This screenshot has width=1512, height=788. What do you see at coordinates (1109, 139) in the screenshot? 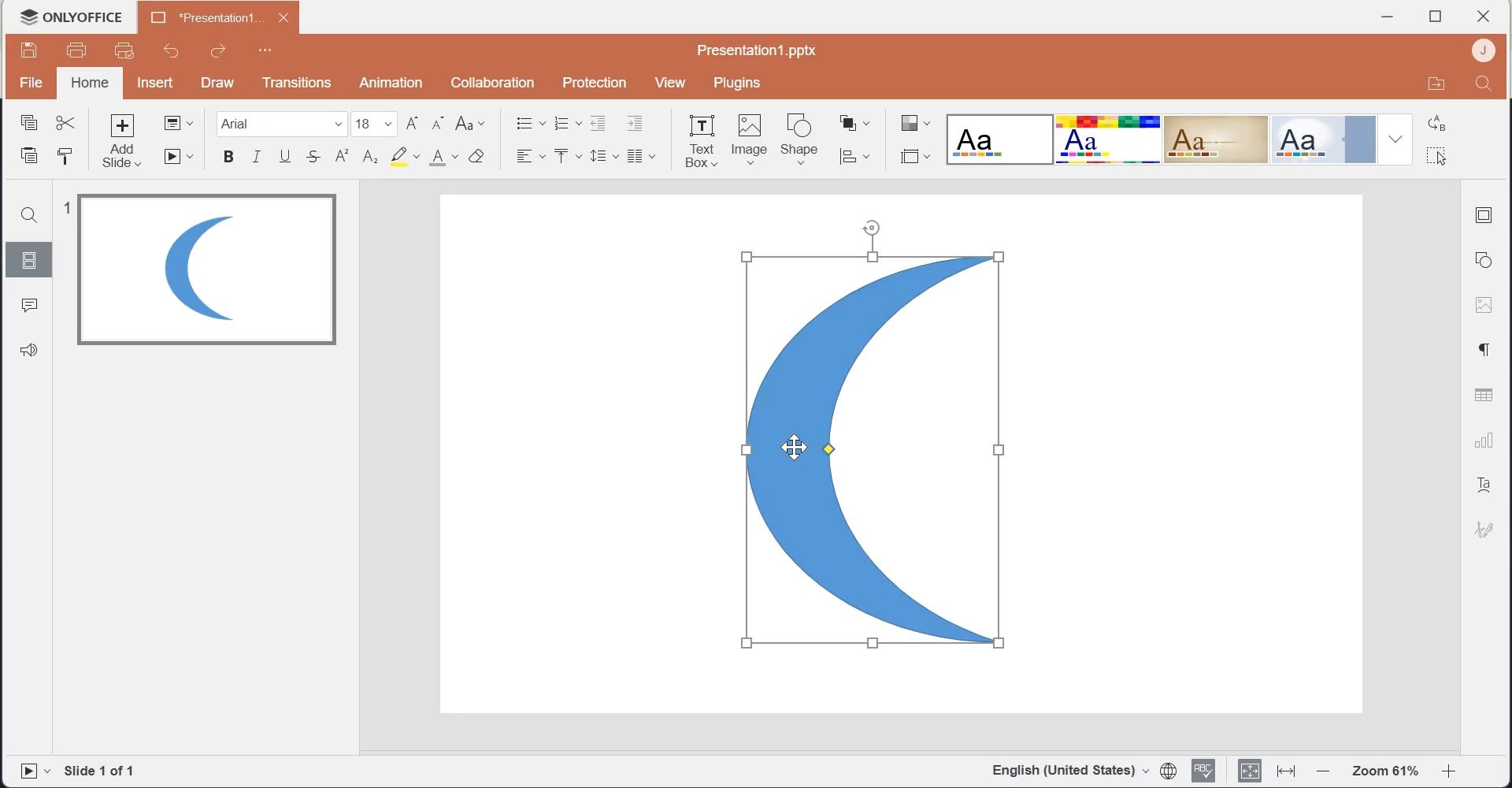
I see `Basic` at bounding box center [1109, 139].